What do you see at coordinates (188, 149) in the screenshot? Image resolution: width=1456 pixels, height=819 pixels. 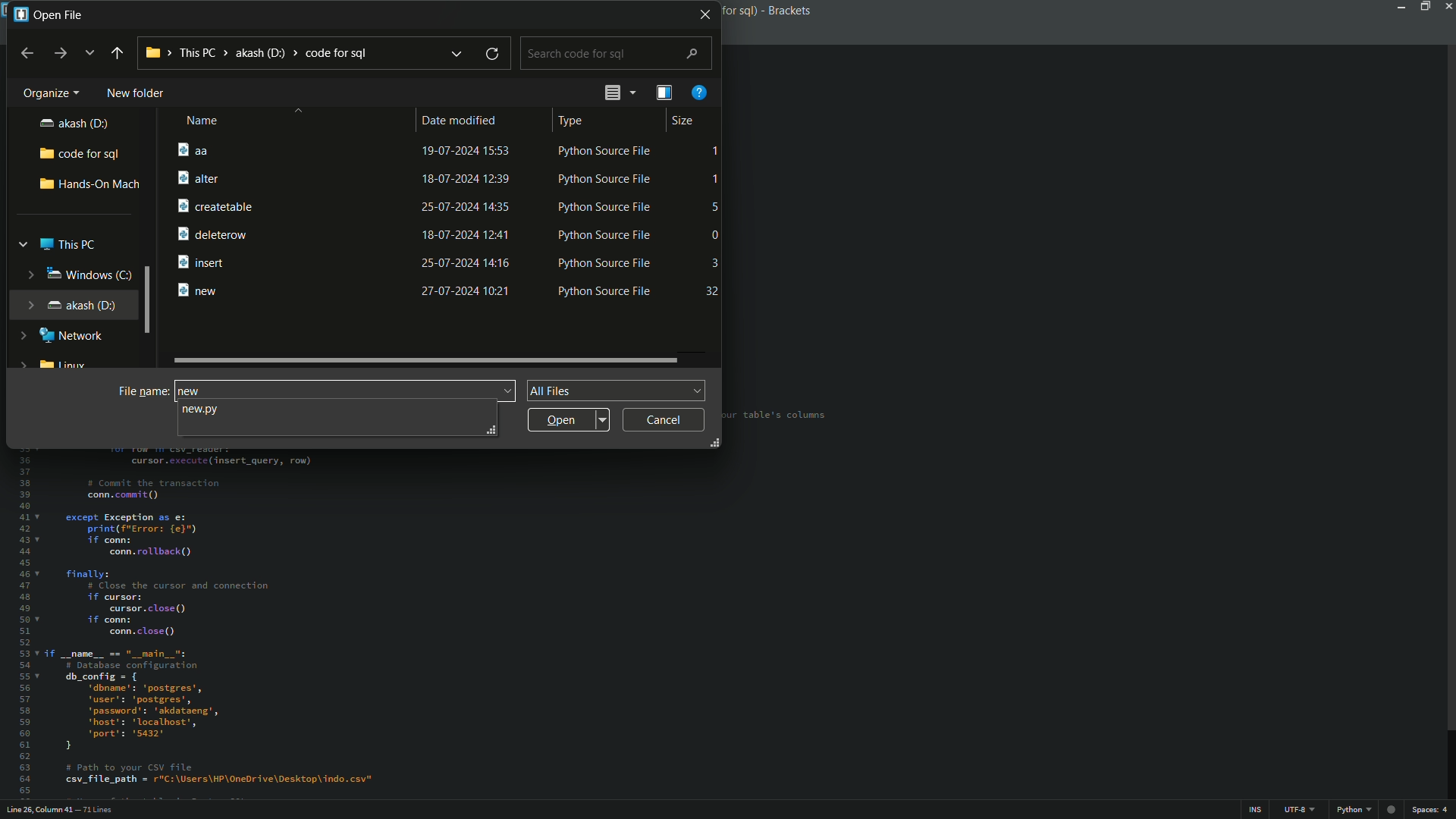 I see `aa` at bounding box center [188, 149].